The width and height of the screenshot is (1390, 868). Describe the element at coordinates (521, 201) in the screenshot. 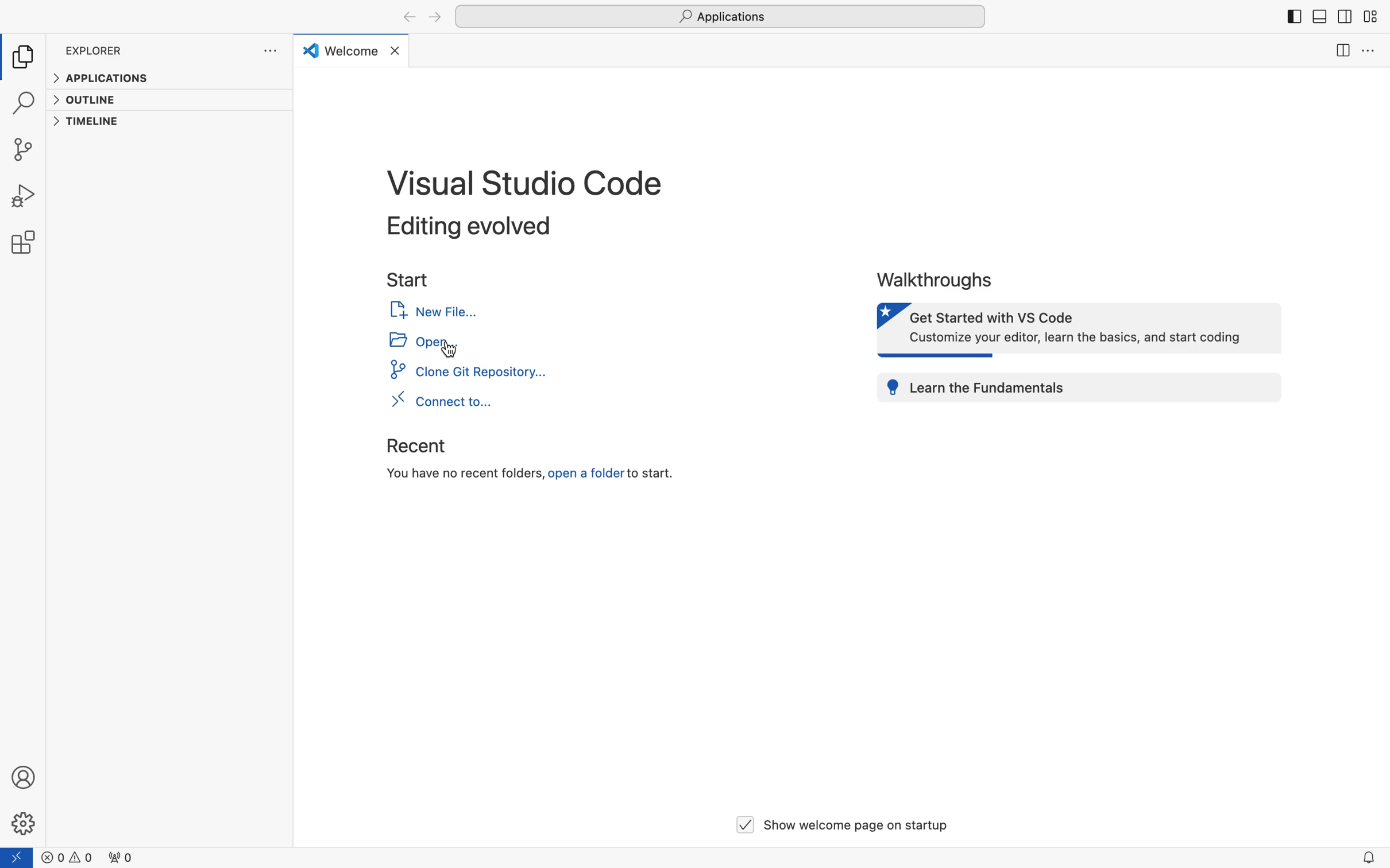

I see `Visual Studio Code
Editing evolved` at that location.